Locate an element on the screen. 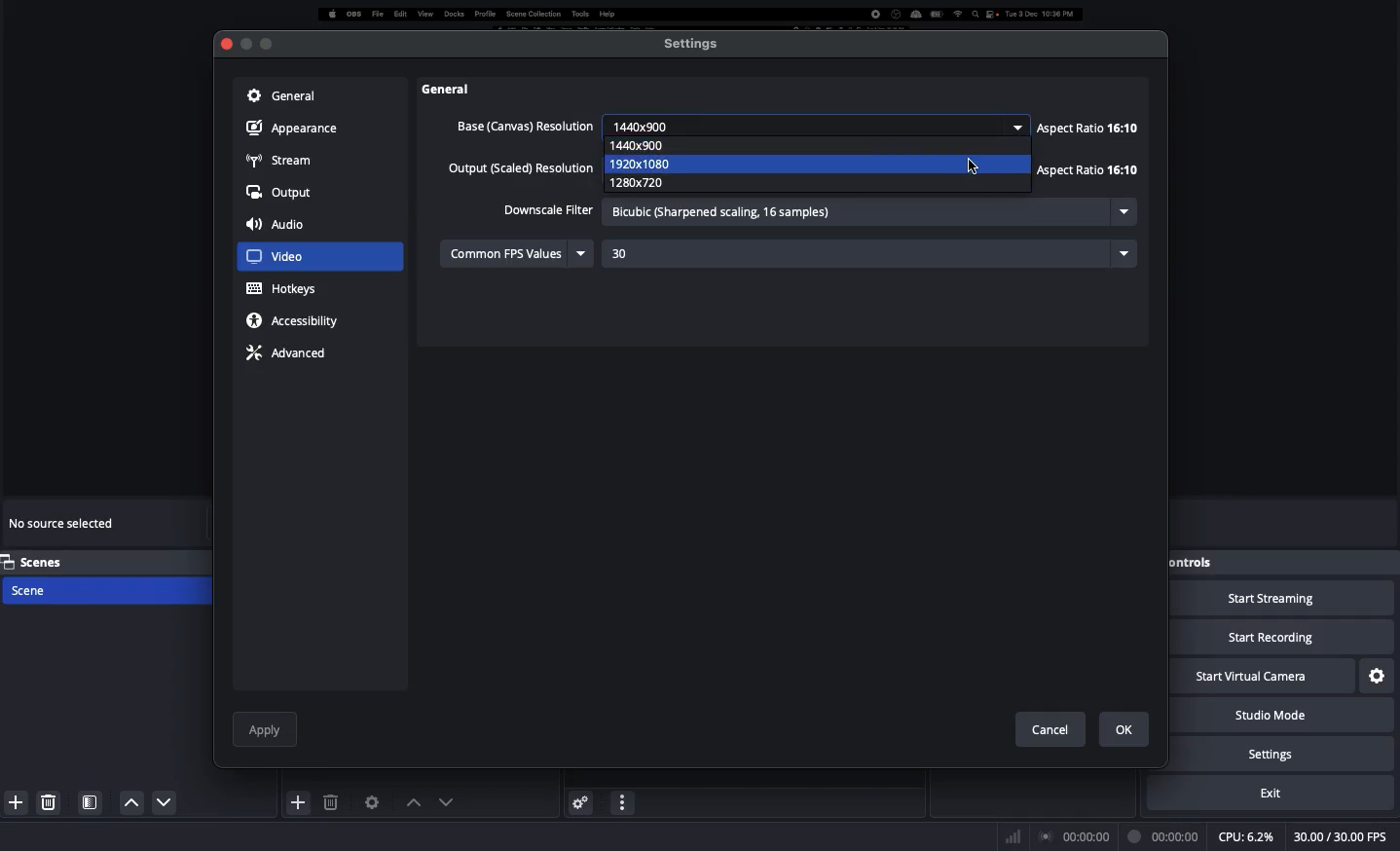 Image resolution: width=1400 pixels, height=851 pixels. Cursor is located at coordinates (974, 167).